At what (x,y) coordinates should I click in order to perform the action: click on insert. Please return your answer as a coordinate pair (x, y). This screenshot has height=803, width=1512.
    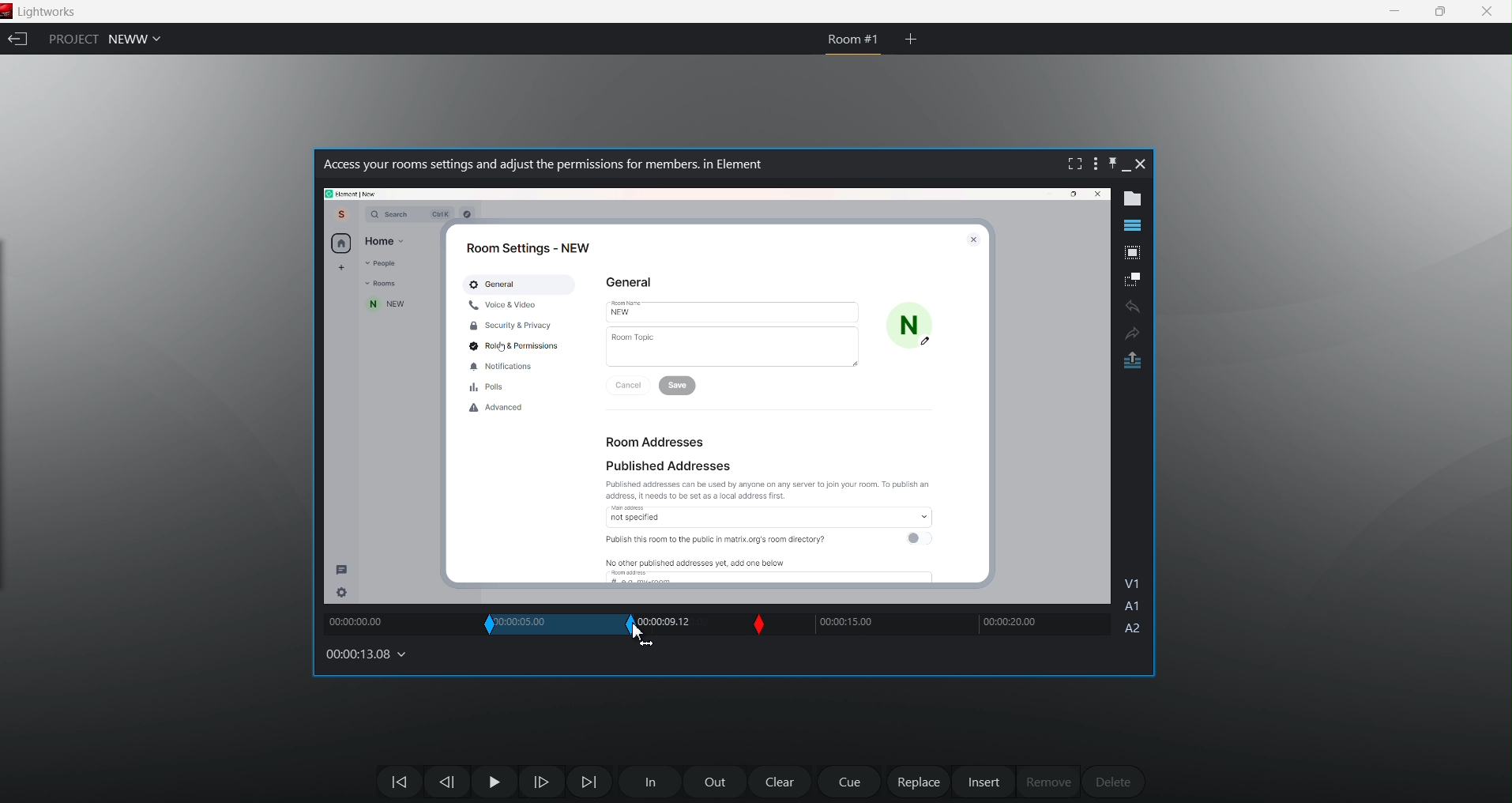
    Looking at the image, I should click on (985, 782).